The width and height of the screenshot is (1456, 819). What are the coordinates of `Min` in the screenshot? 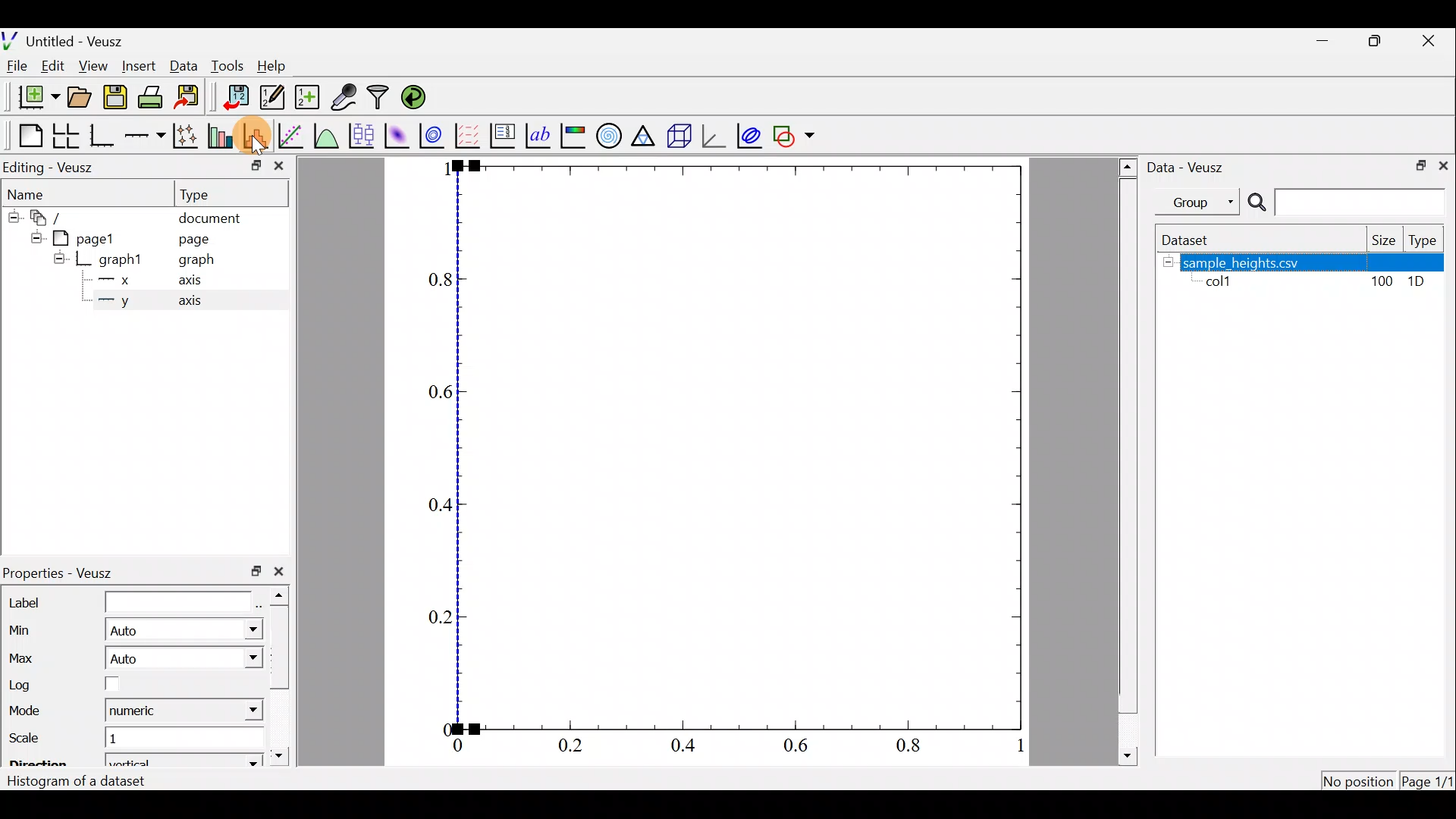 It's located at (26, 629).